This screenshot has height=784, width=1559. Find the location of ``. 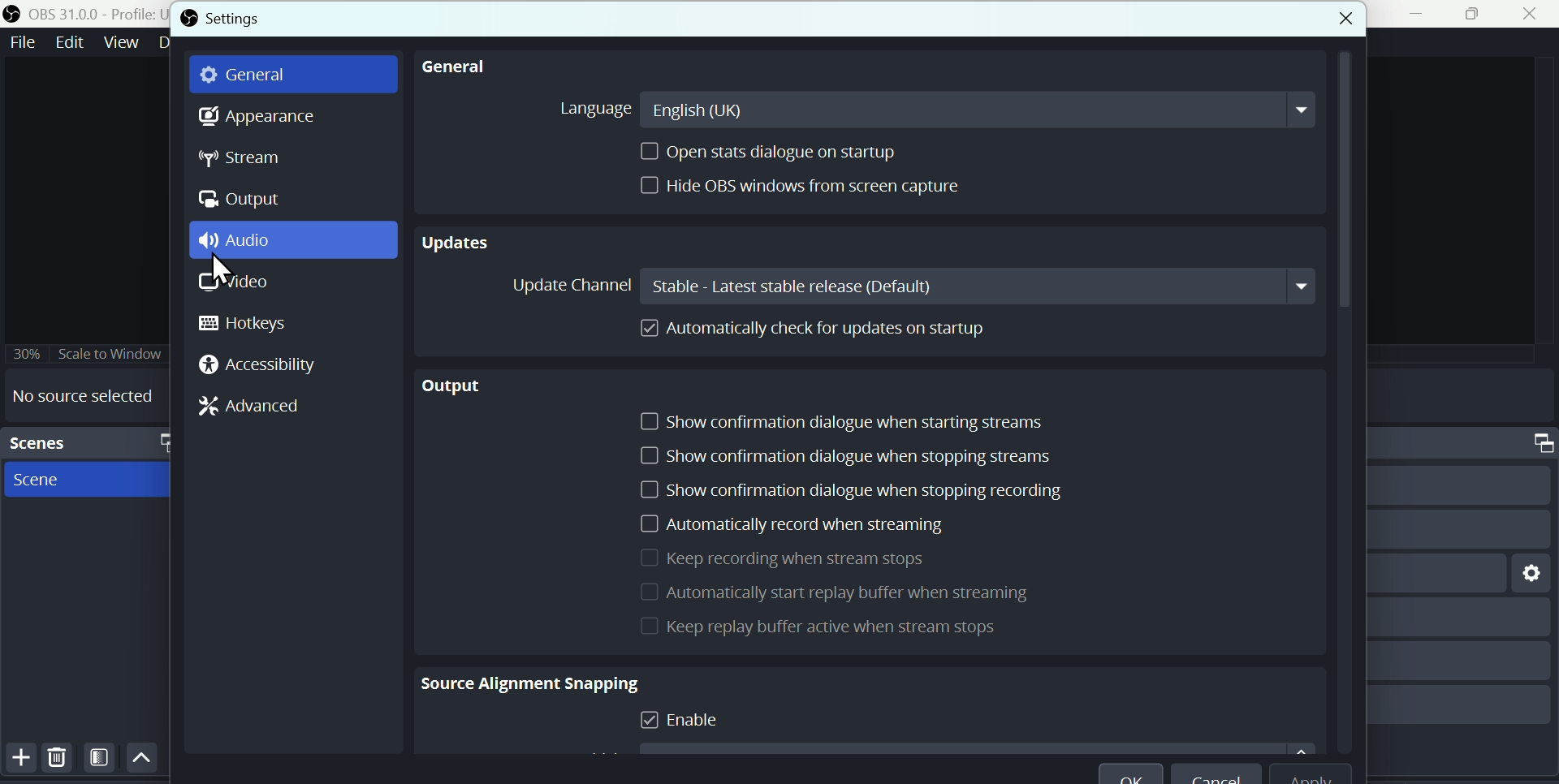

 is located at coordinates (18, 759).